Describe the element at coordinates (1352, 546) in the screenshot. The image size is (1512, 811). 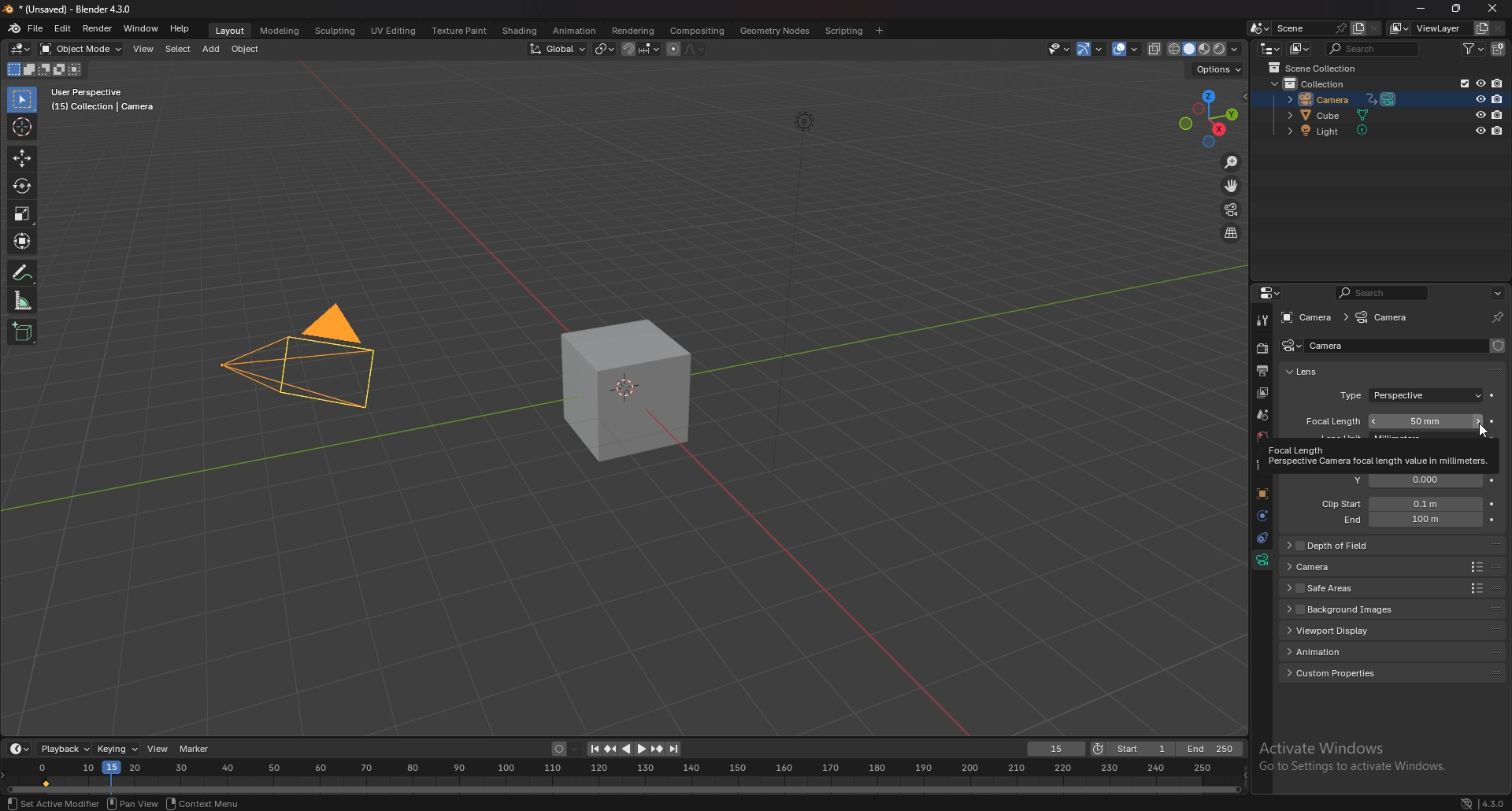
I see `depth of field` at that location.